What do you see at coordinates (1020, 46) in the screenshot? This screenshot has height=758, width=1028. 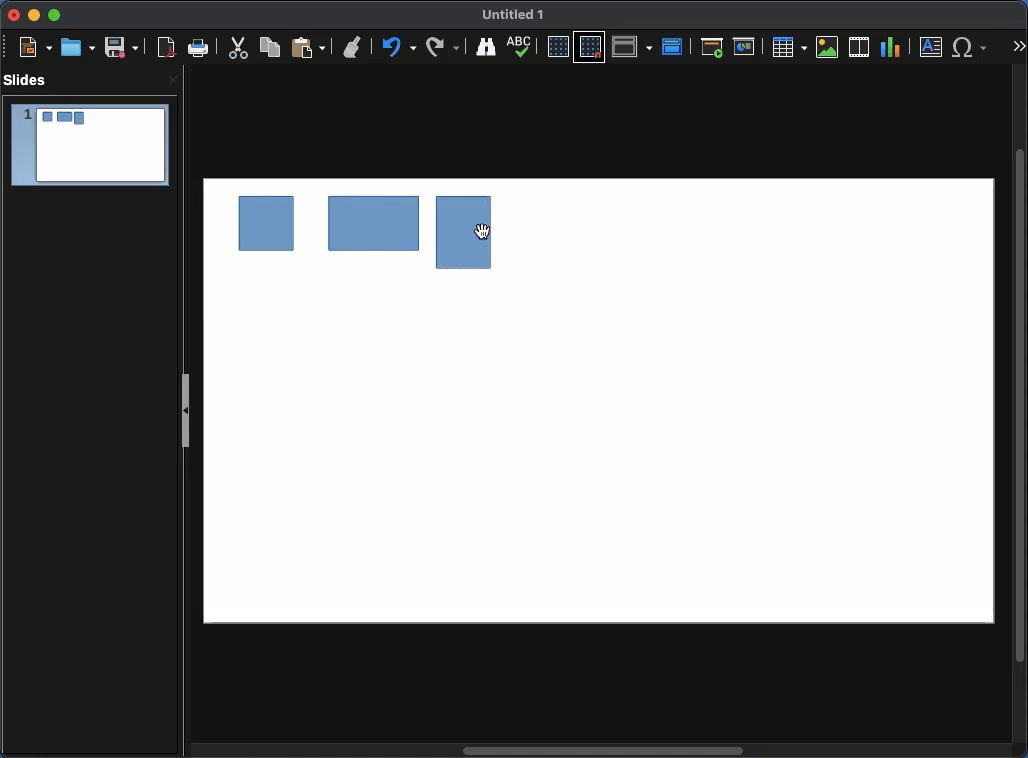 I see `More` at bounding box center [1020, 46].